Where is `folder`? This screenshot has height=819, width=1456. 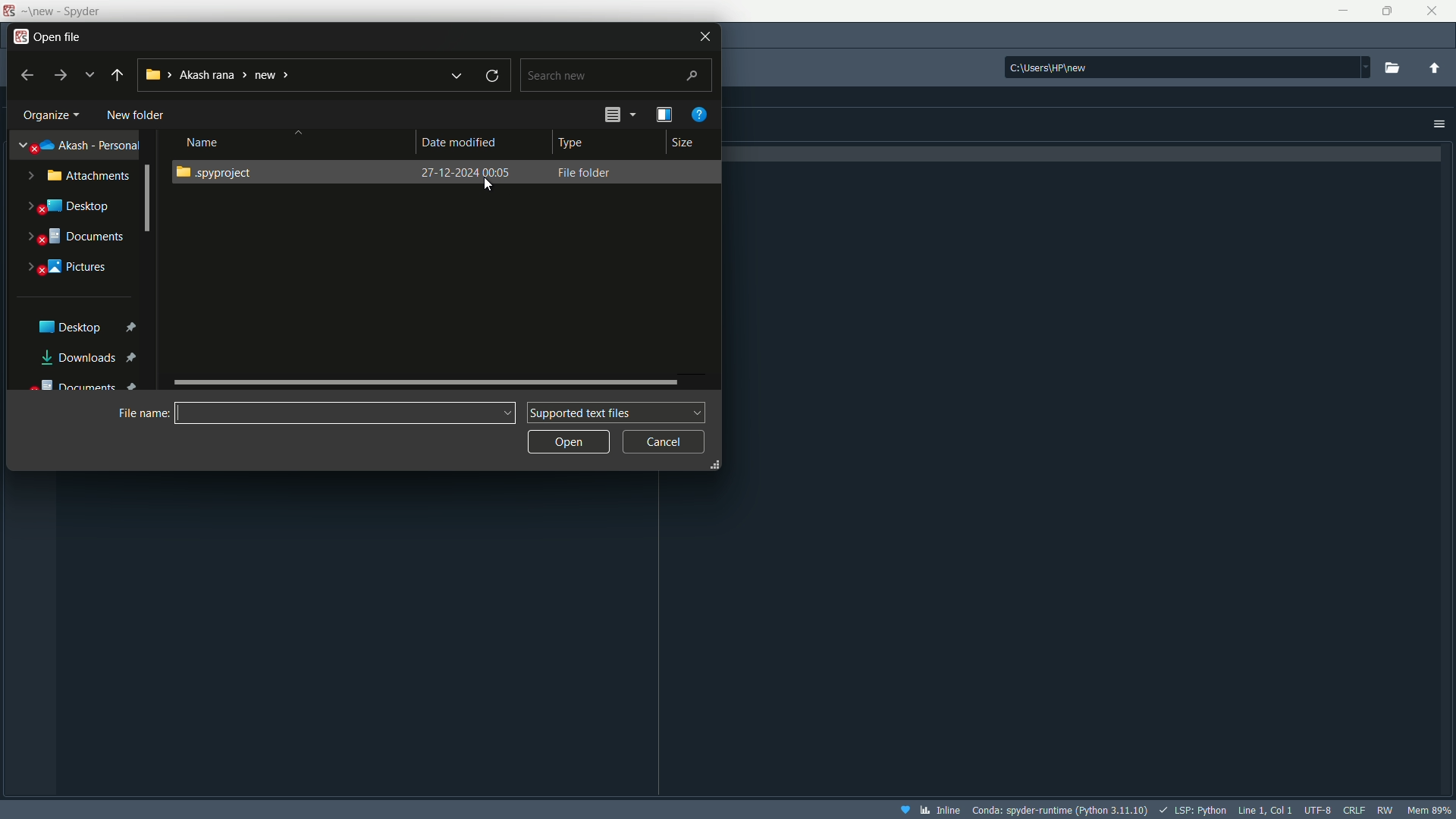 folder is located at coordinates (447, 174).